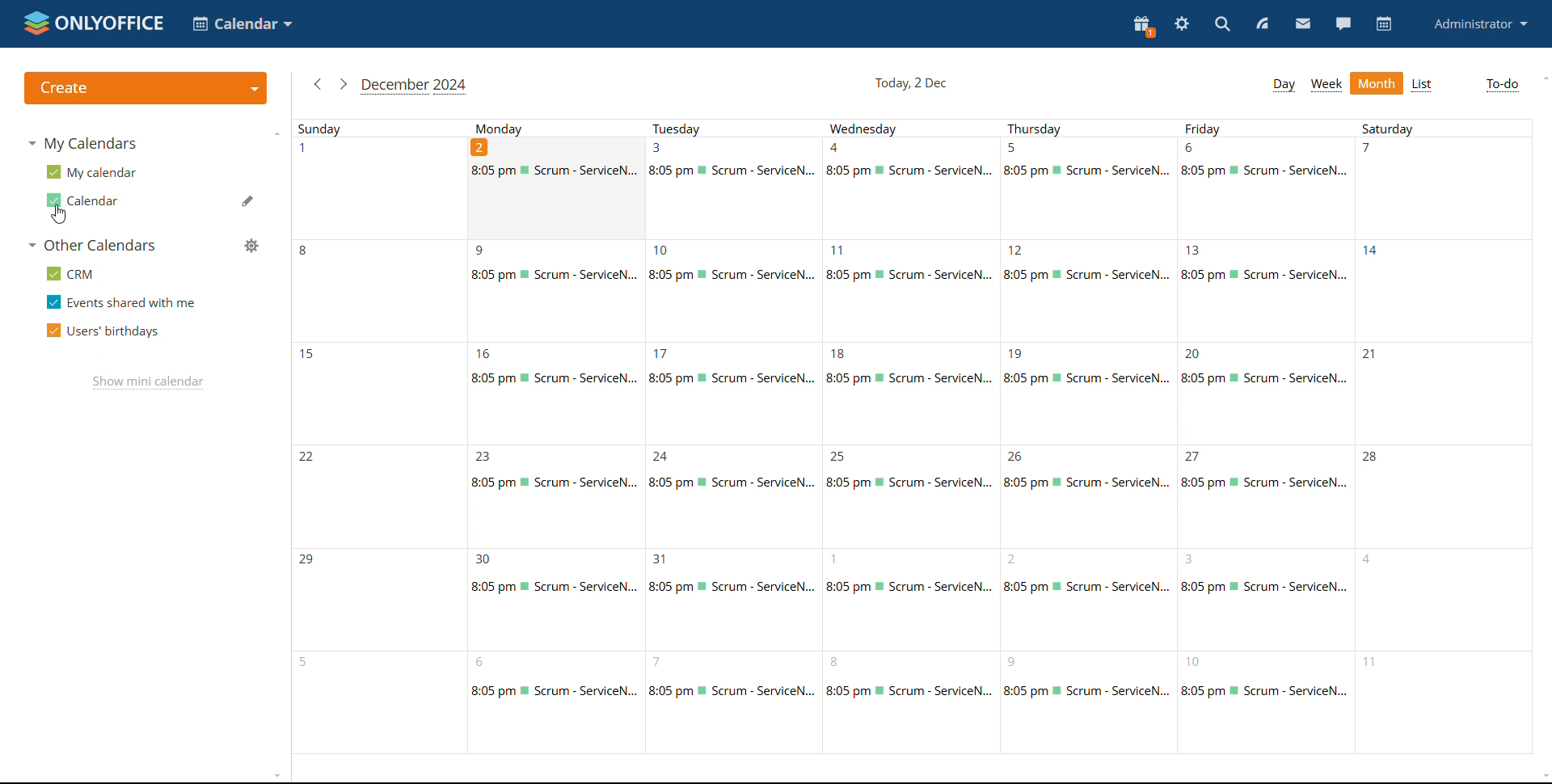 This screenshot has width=1552, height=784. What do you see at coordinates (94, 23) in the screenshot?
I see `logo` at bounding box center [94, 23].